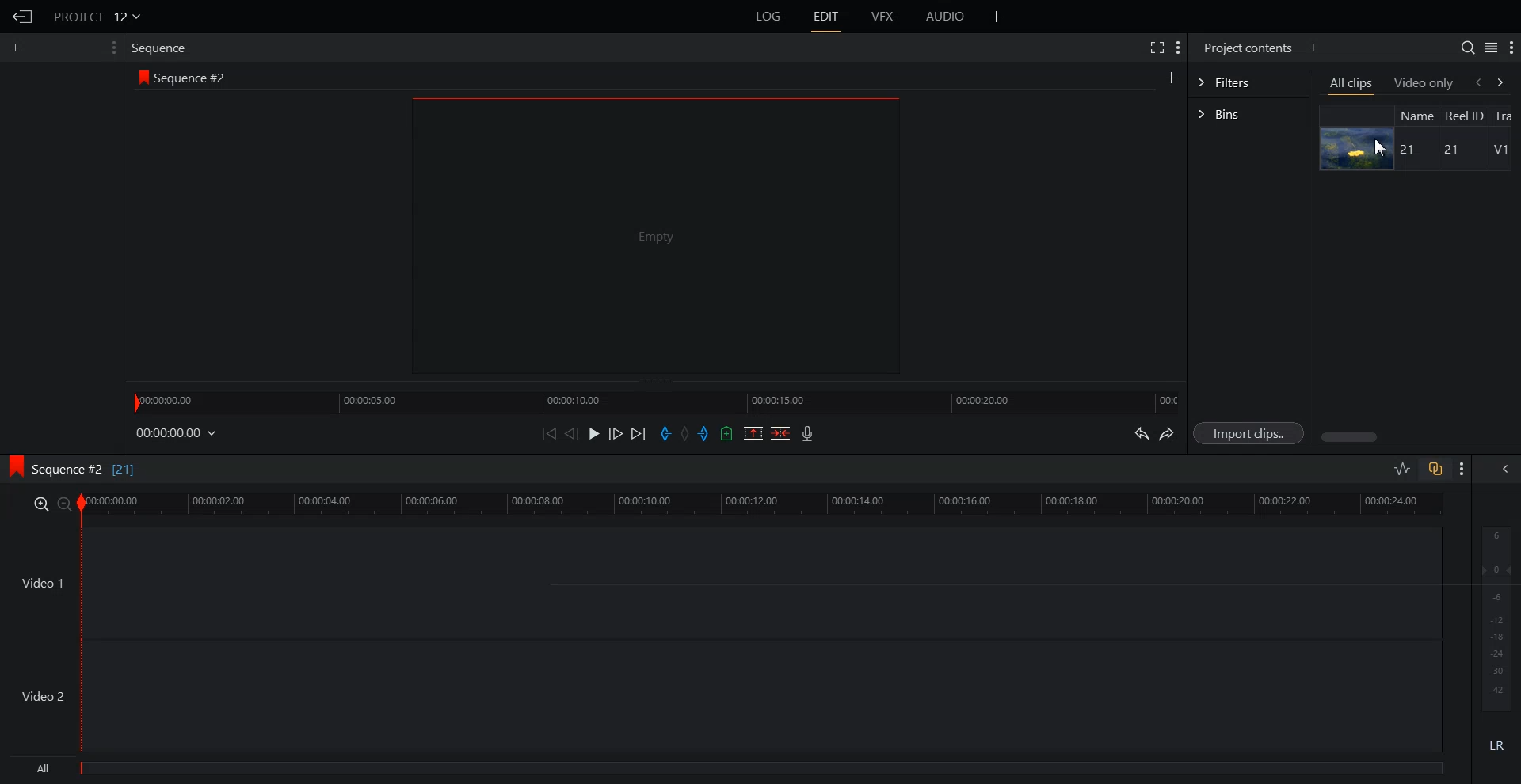 This screenshot has width=1521, height=784. I want to click on Add Panel, so click(1171, 76).